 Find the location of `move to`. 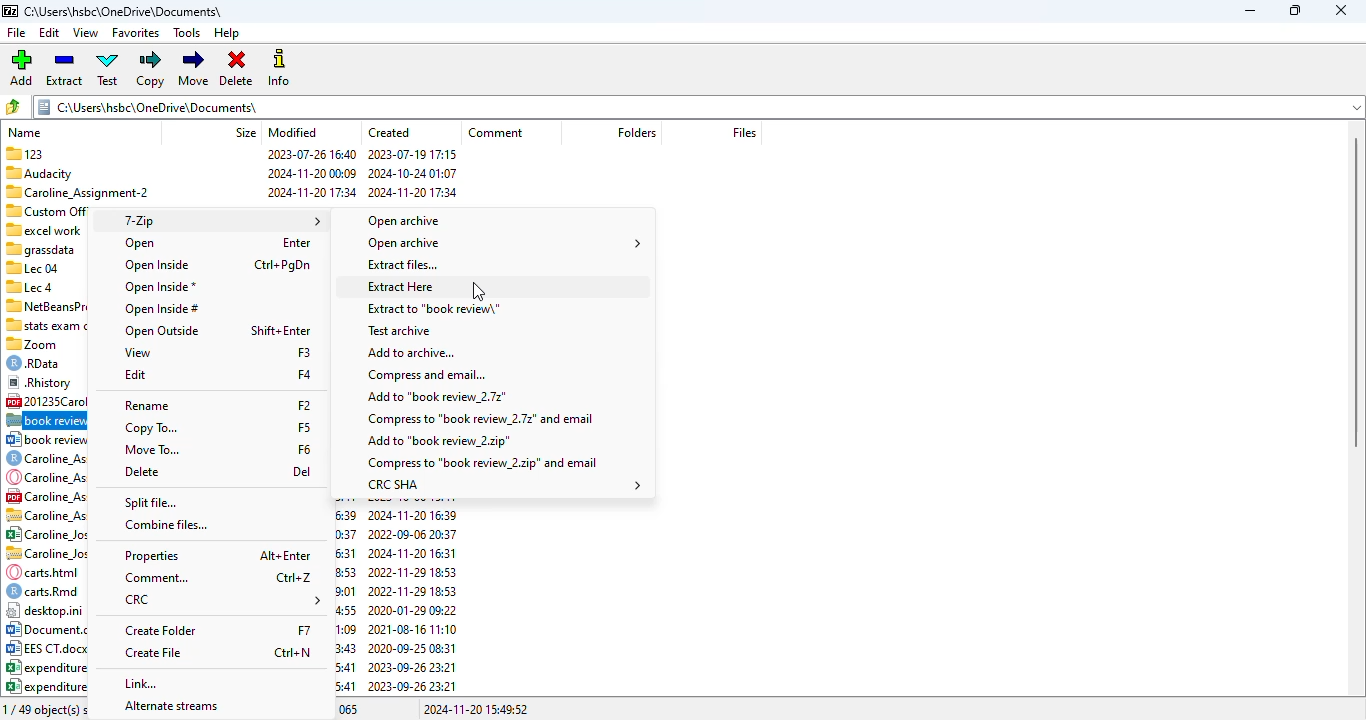

move to is located at coordinates (152, 450).